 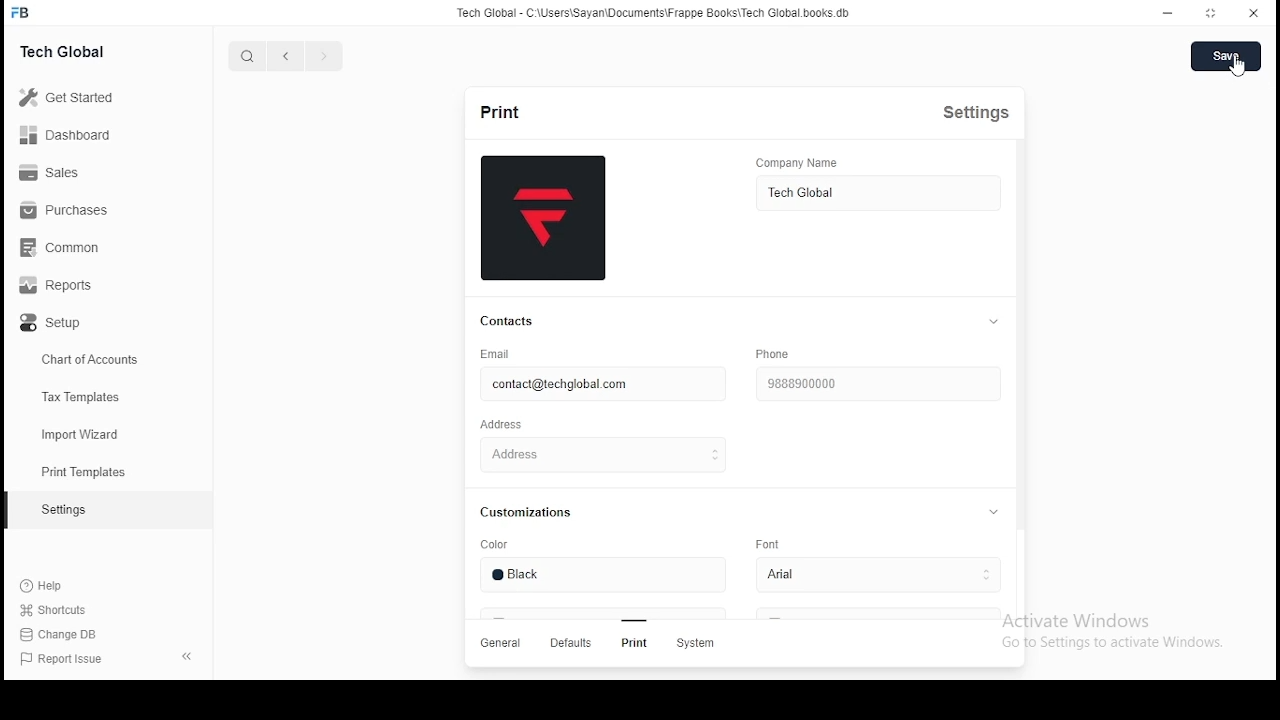 What do you see at coordinates (877, 195) in the screenshot?
I see `COMPANY NAME INPUT BOX` at bounding box center [877, 195].